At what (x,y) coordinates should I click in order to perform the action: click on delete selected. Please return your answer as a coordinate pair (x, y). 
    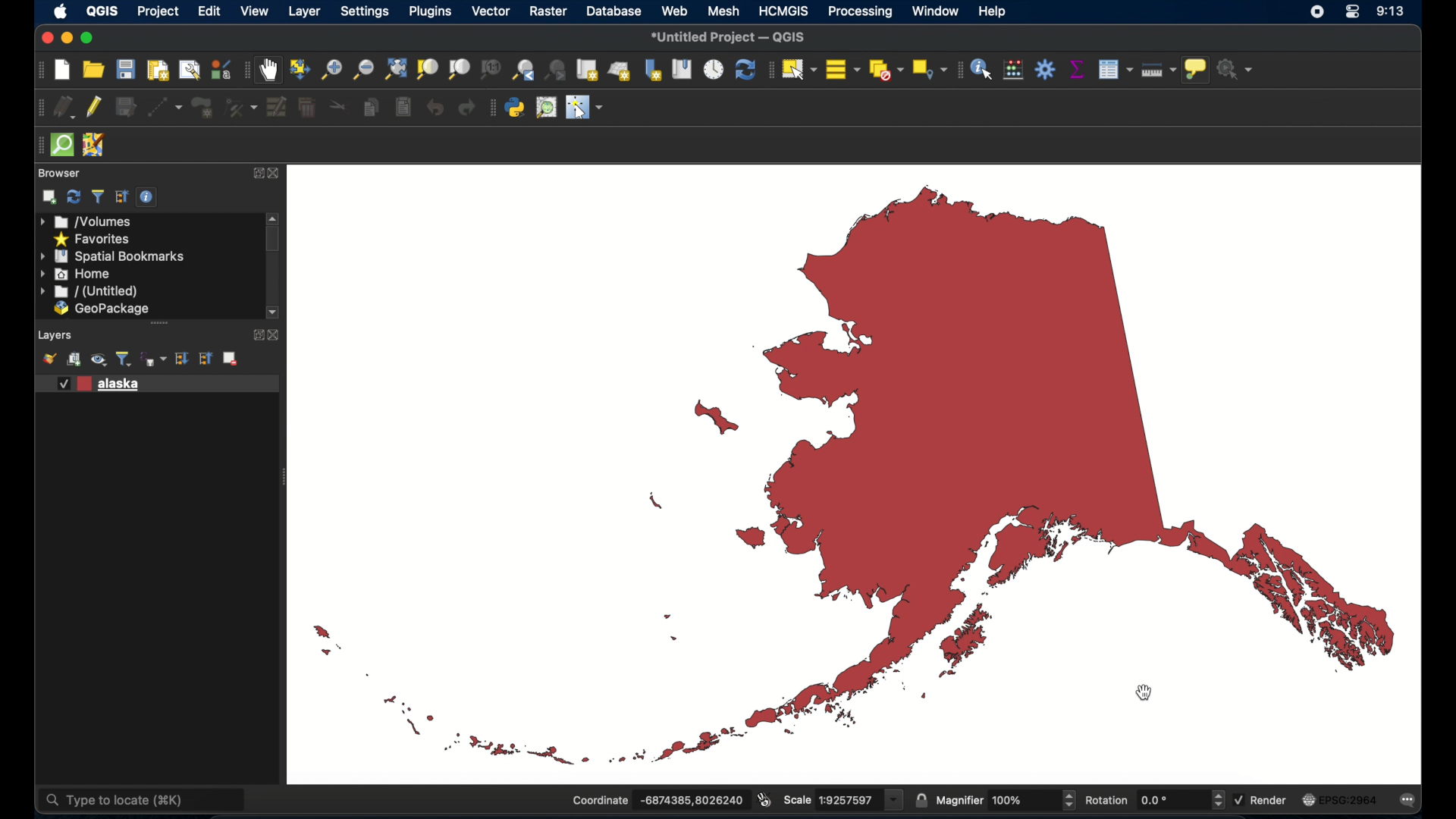
    Looking at the image, I should click on (307, 108).